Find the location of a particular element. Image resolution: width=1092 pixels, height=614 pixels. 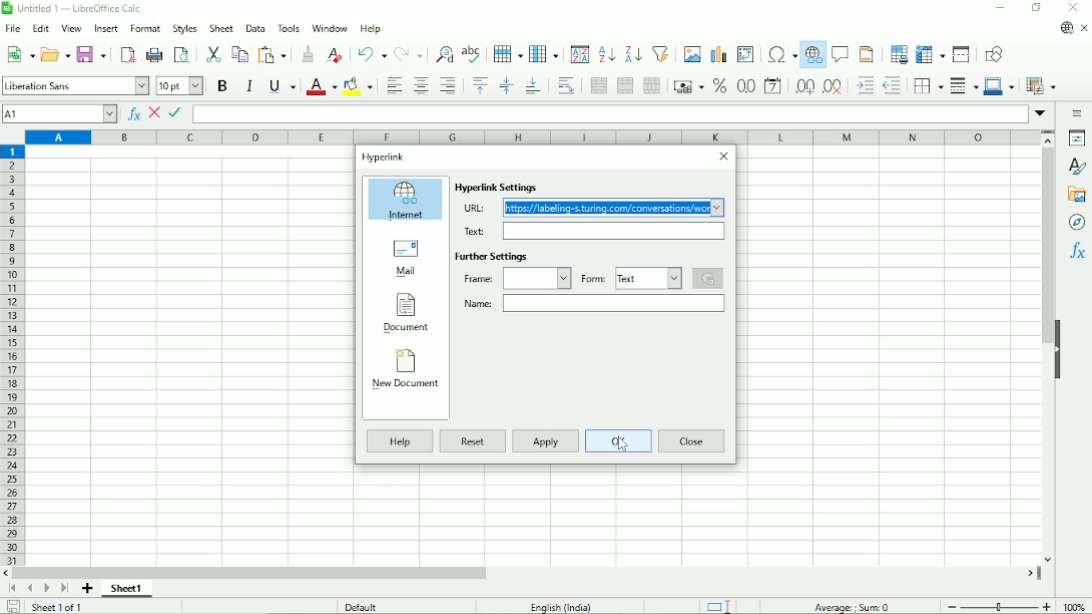

Minimize is located at coordinates (1001, 8).